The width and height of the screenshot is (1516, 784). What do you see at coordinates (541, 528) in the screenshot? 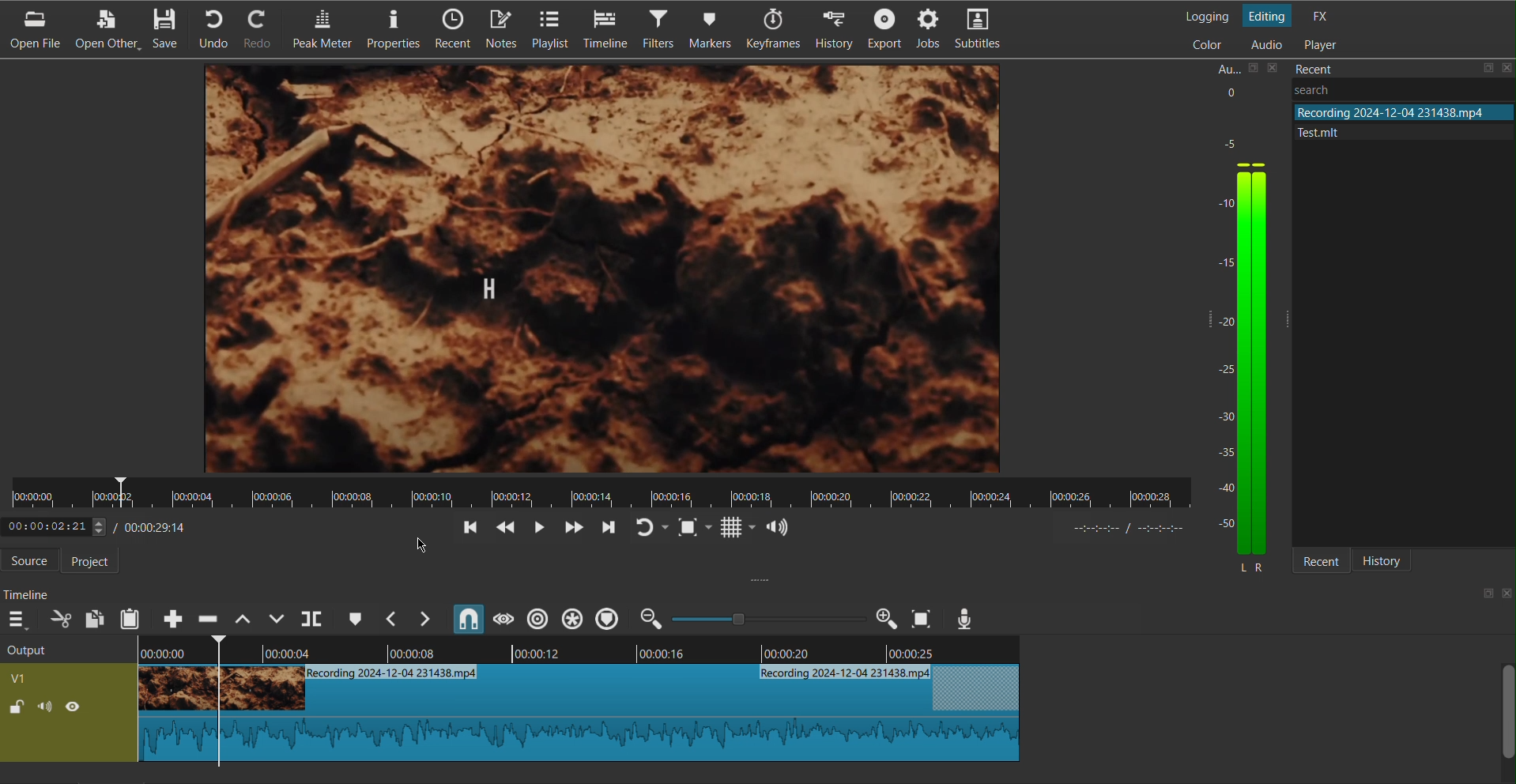
I see `Play` at bounding box center [541, 528].